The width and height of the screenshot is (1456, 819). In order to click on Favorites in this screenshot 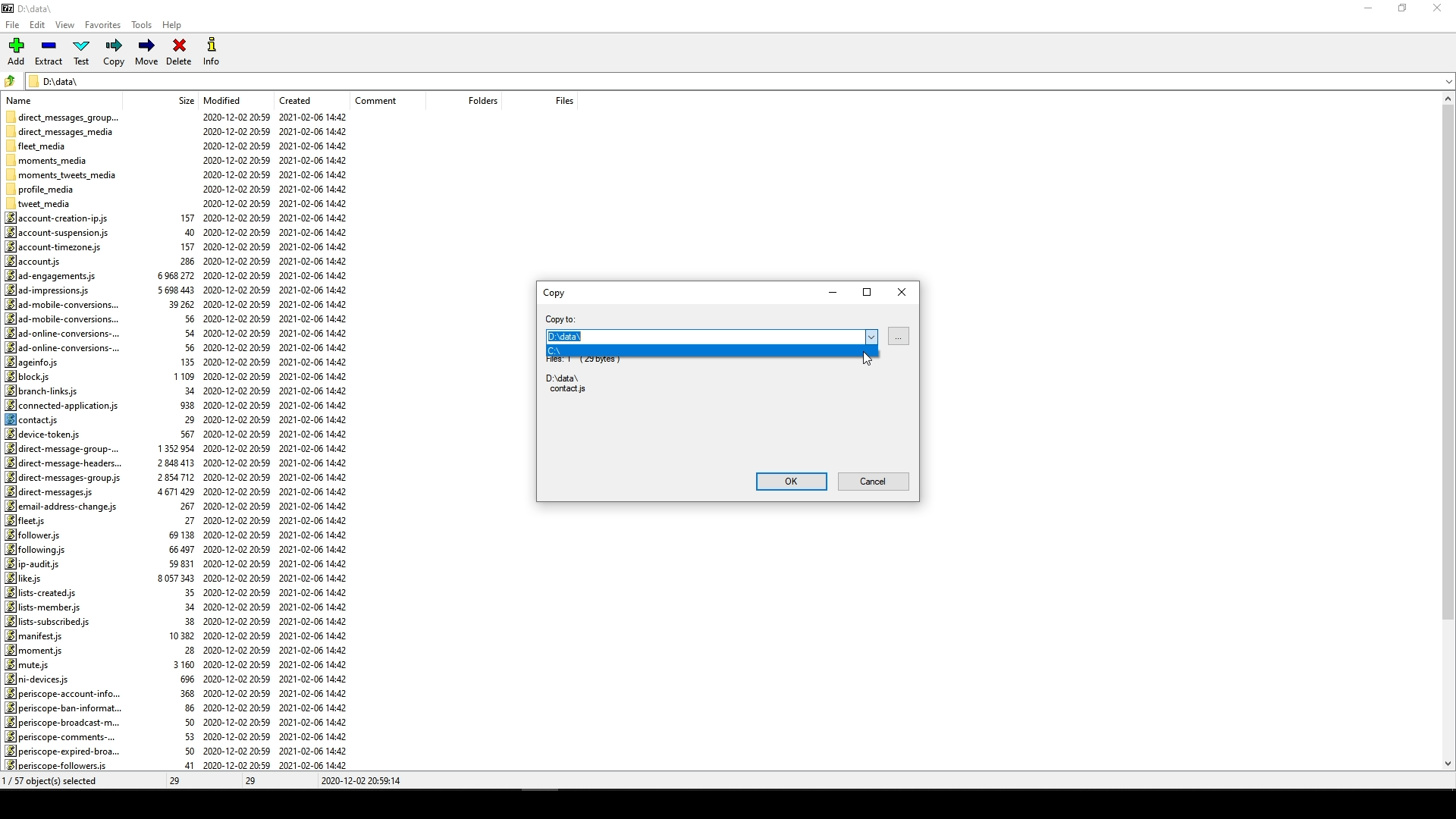, I will do `click(103, 27)`.